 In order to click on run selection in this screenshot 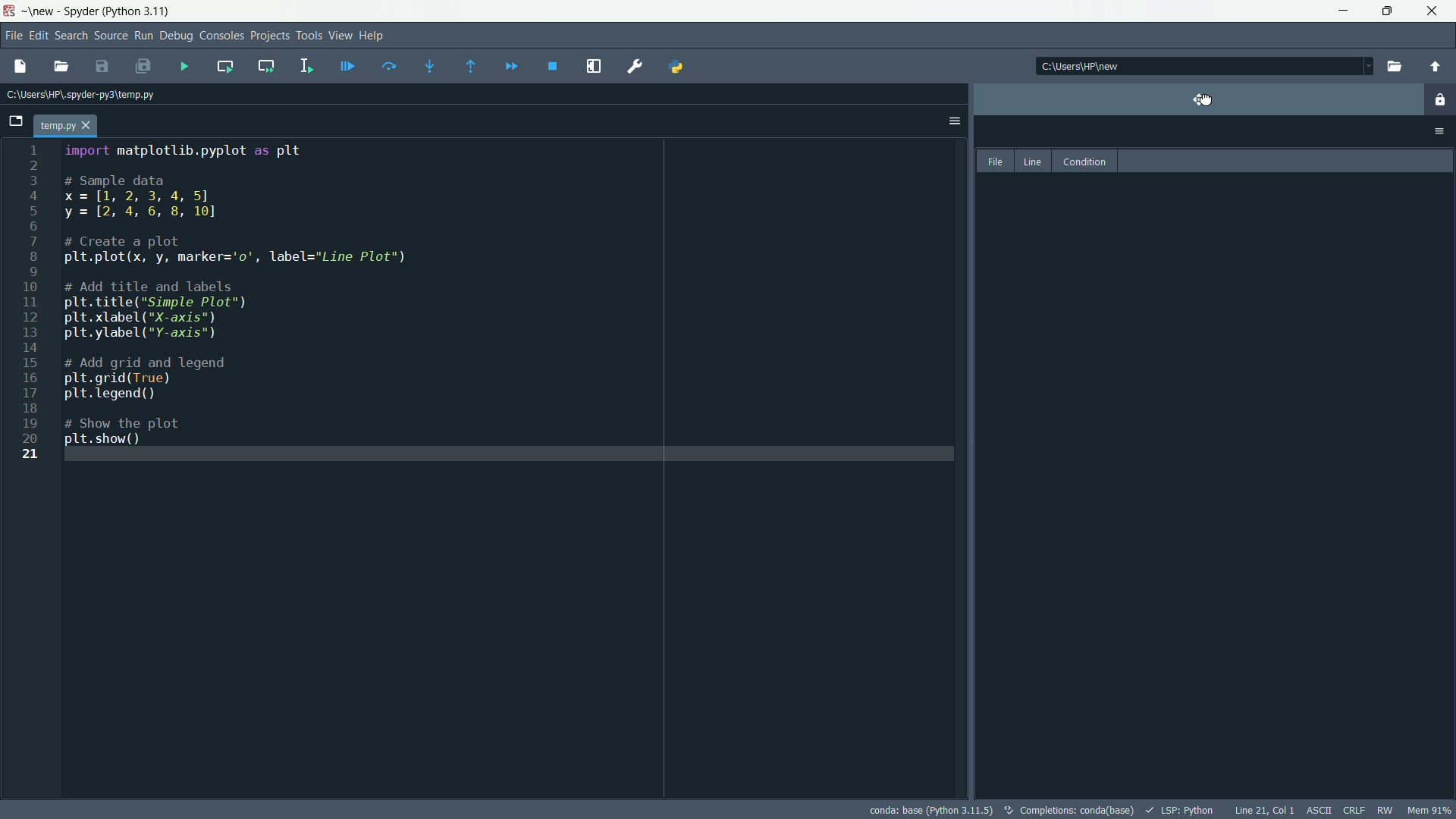, I will do `click(305, 65)`.